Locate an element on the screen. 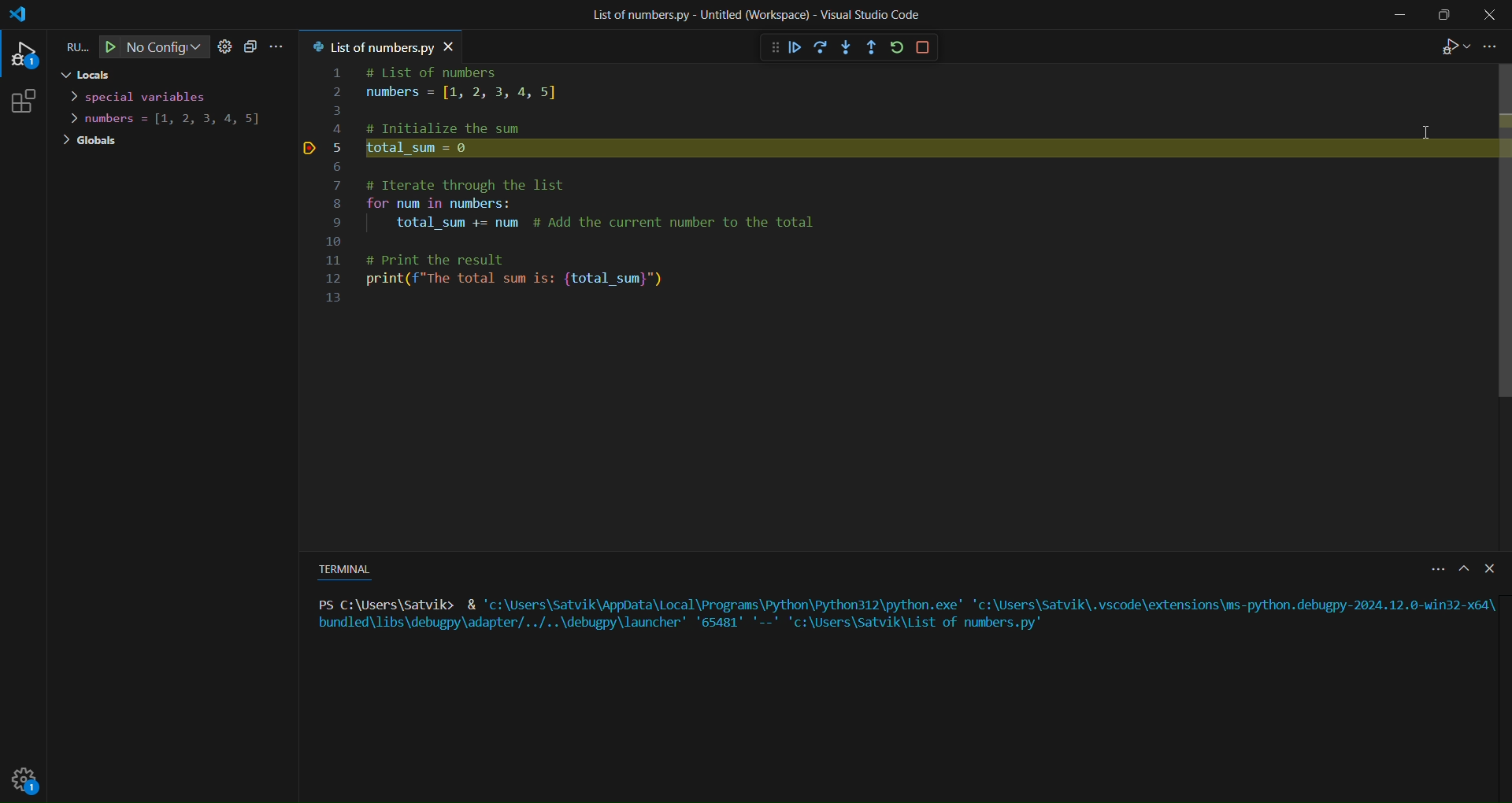 The width and height of the screenshot is (1512, 803). locals is located at coordinates (84, 76).